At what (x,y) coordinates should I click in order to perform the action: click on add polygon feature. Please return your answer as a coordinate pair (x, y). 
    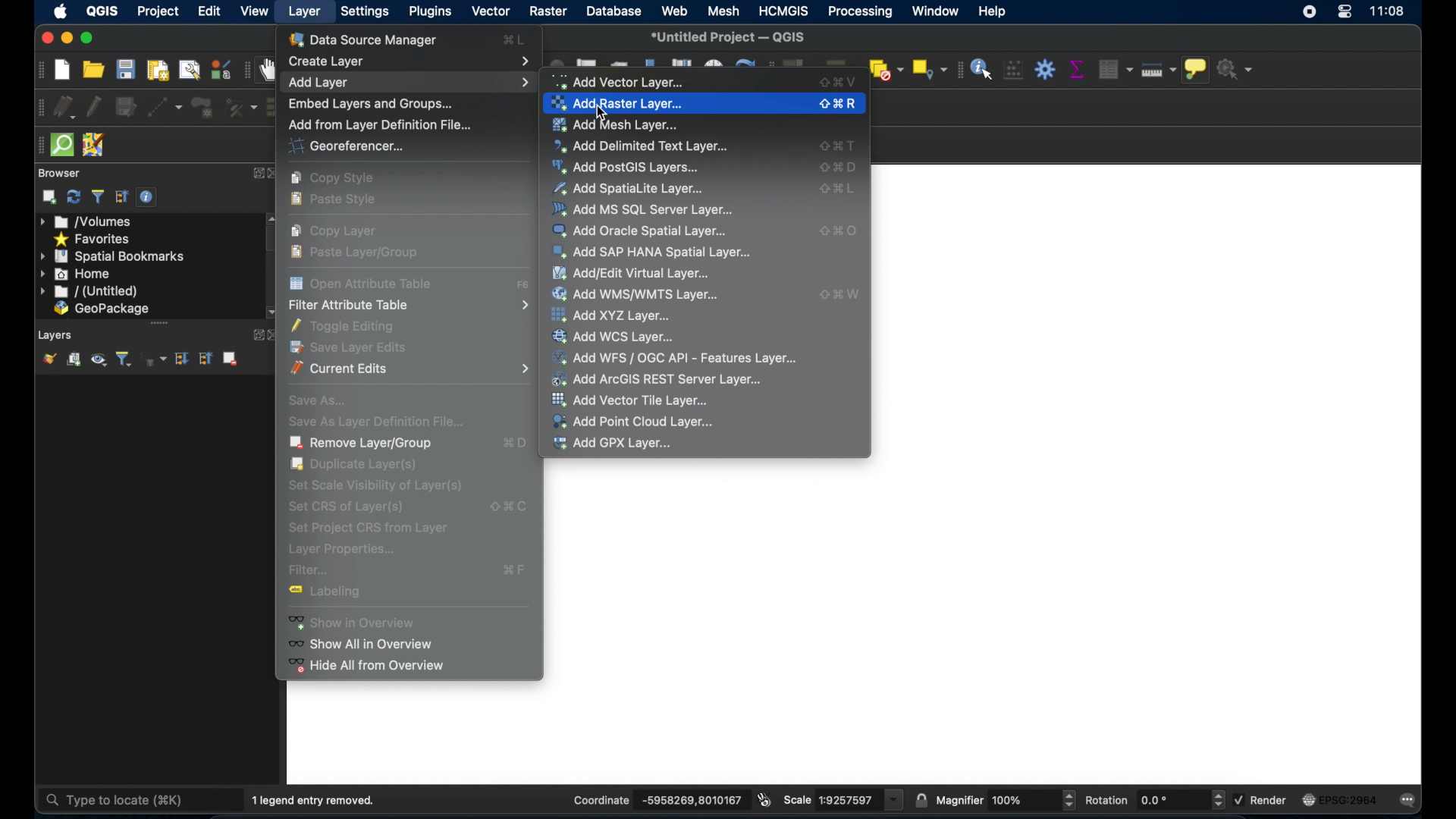
    Looking at the image, I should click on (202, 108).